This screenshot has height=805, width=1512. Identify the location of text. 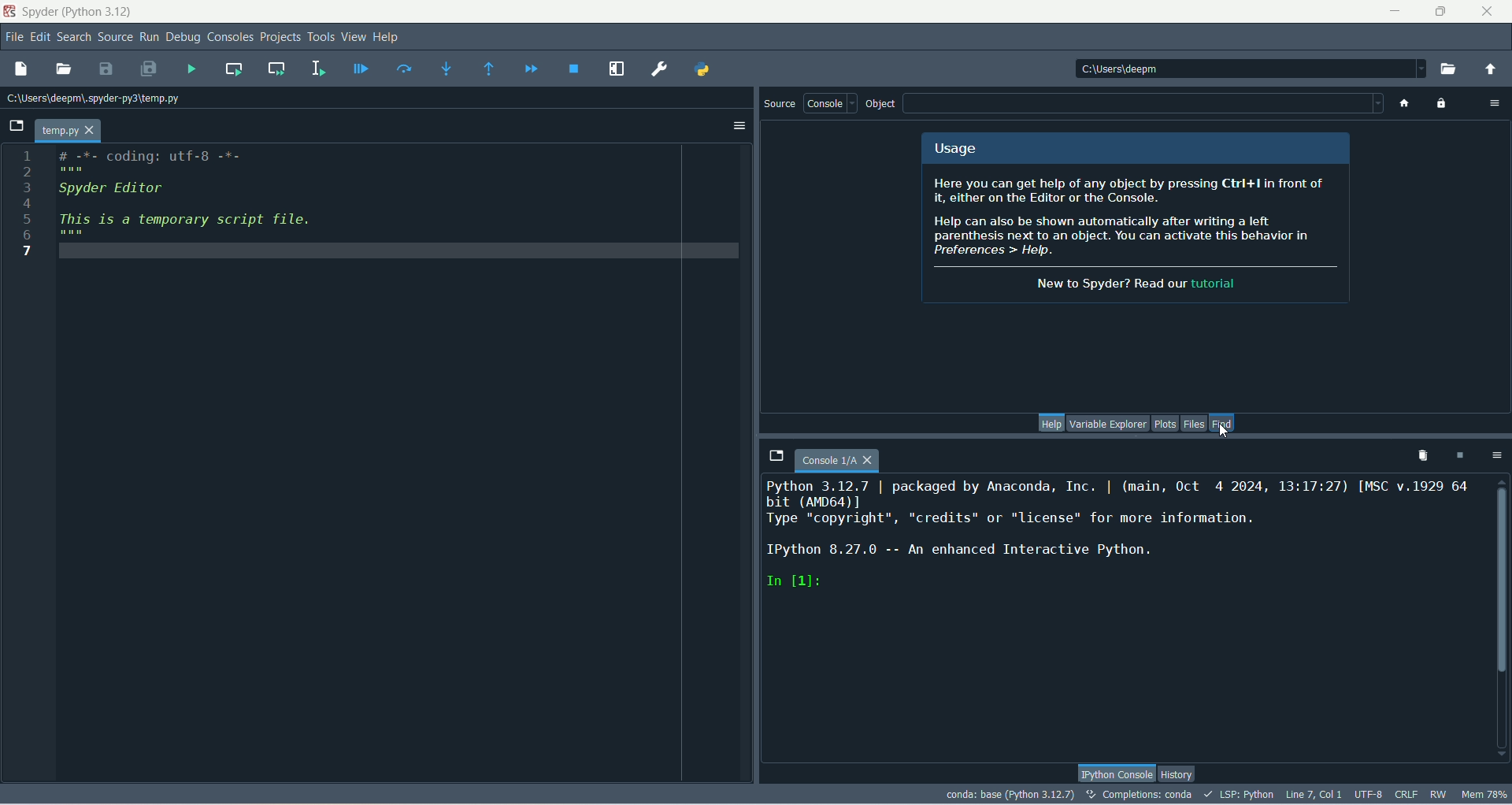
(1136, 218).